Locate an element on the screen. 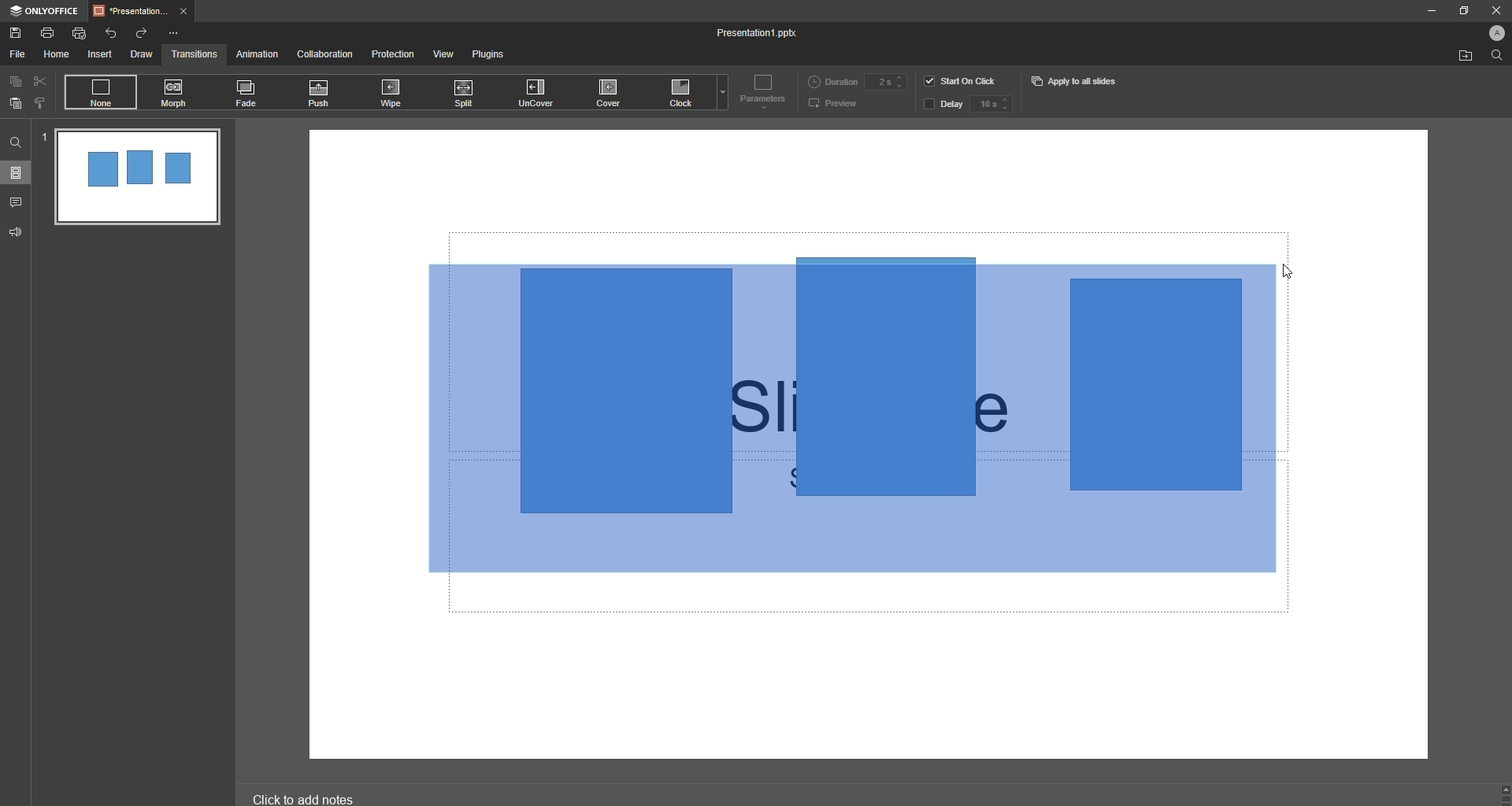 This screenshot has width=1512, height=806. Draw is located at coordinates (142, 54).